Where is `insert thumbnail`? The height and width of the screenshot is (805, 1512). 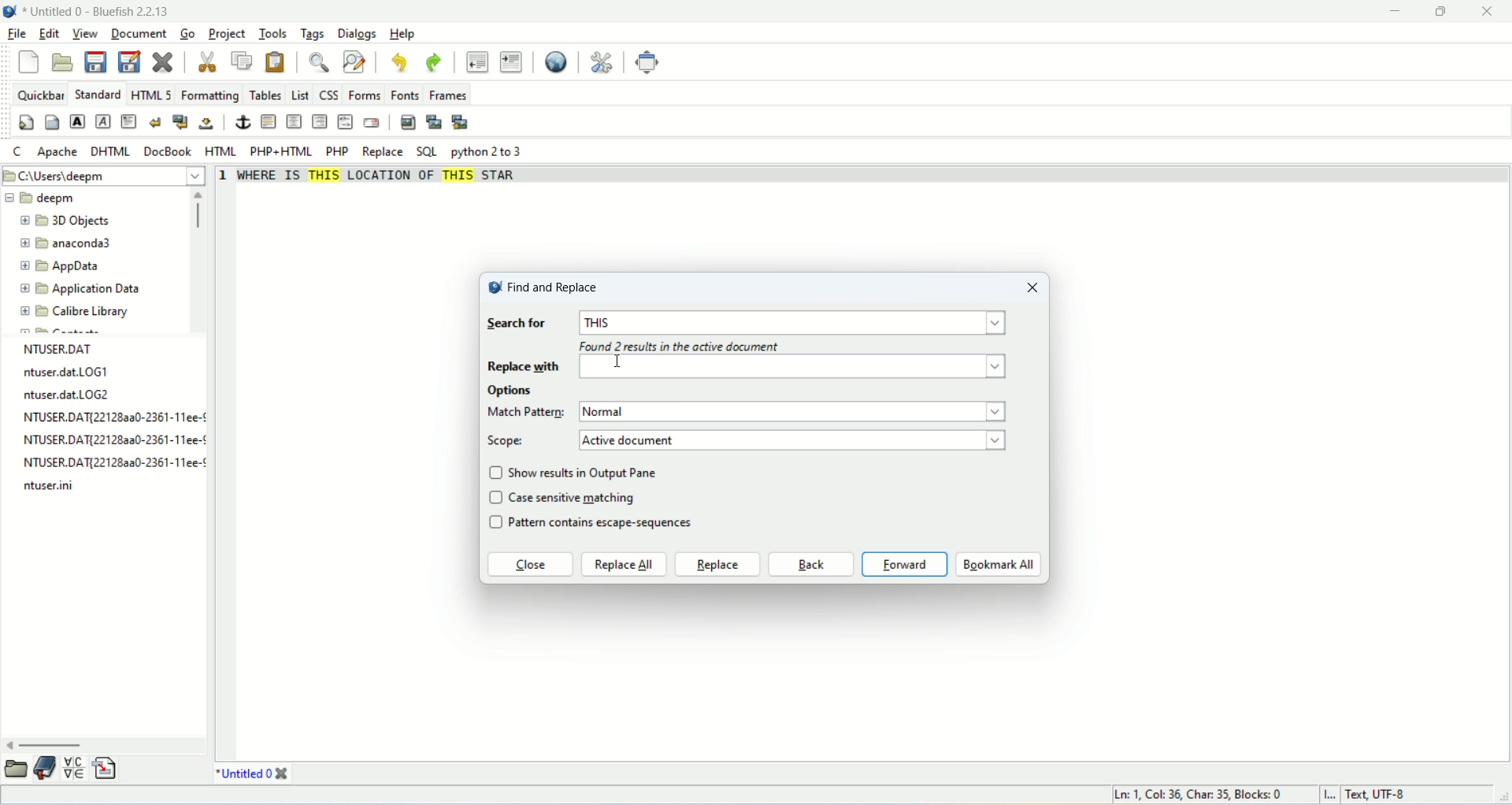 insert thumbnail is located at coordinates (435, 124).